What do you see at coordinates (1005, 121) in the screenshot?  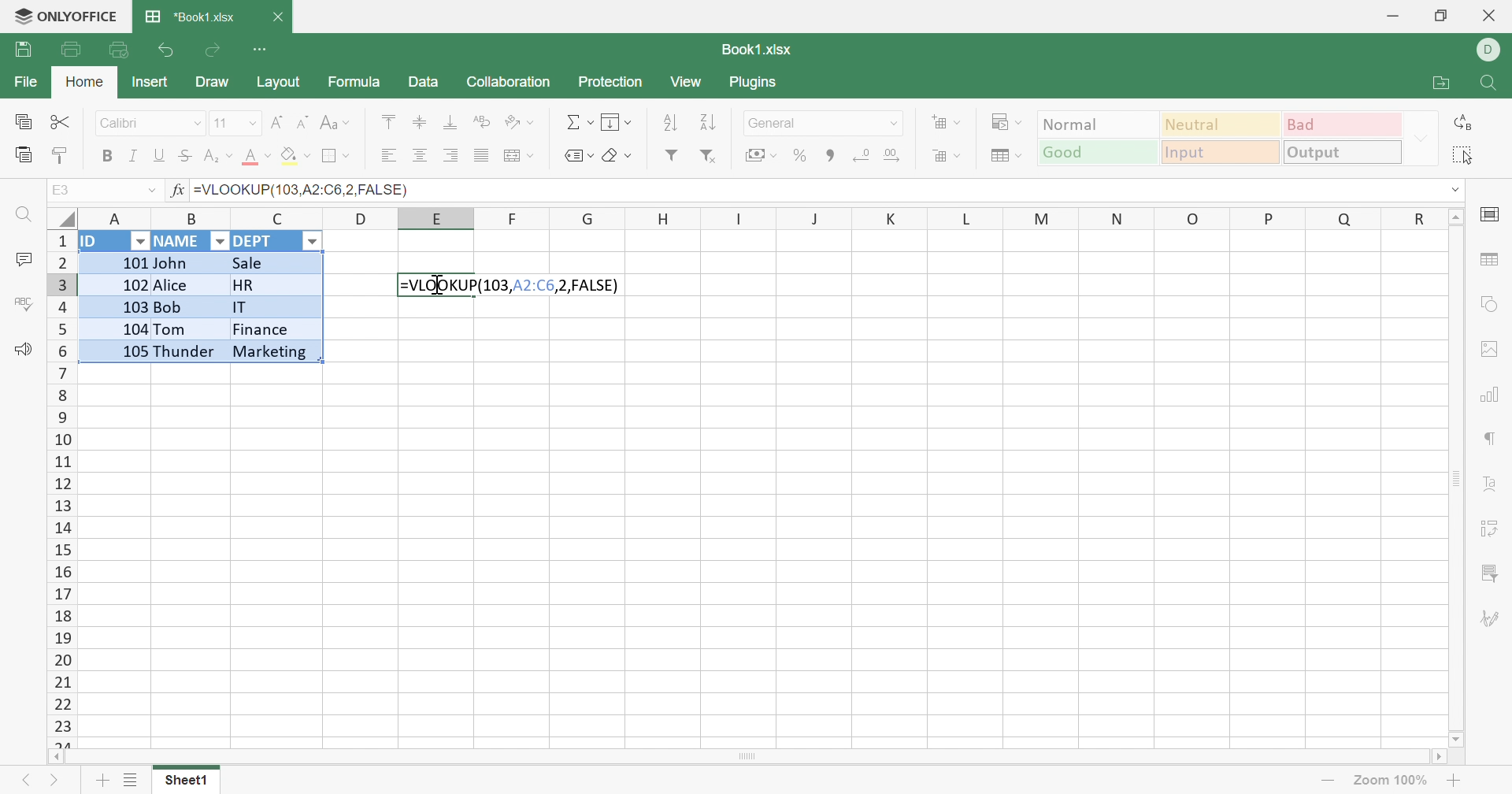 I see `Conditional formatting` at bounding box center [1005, 121].